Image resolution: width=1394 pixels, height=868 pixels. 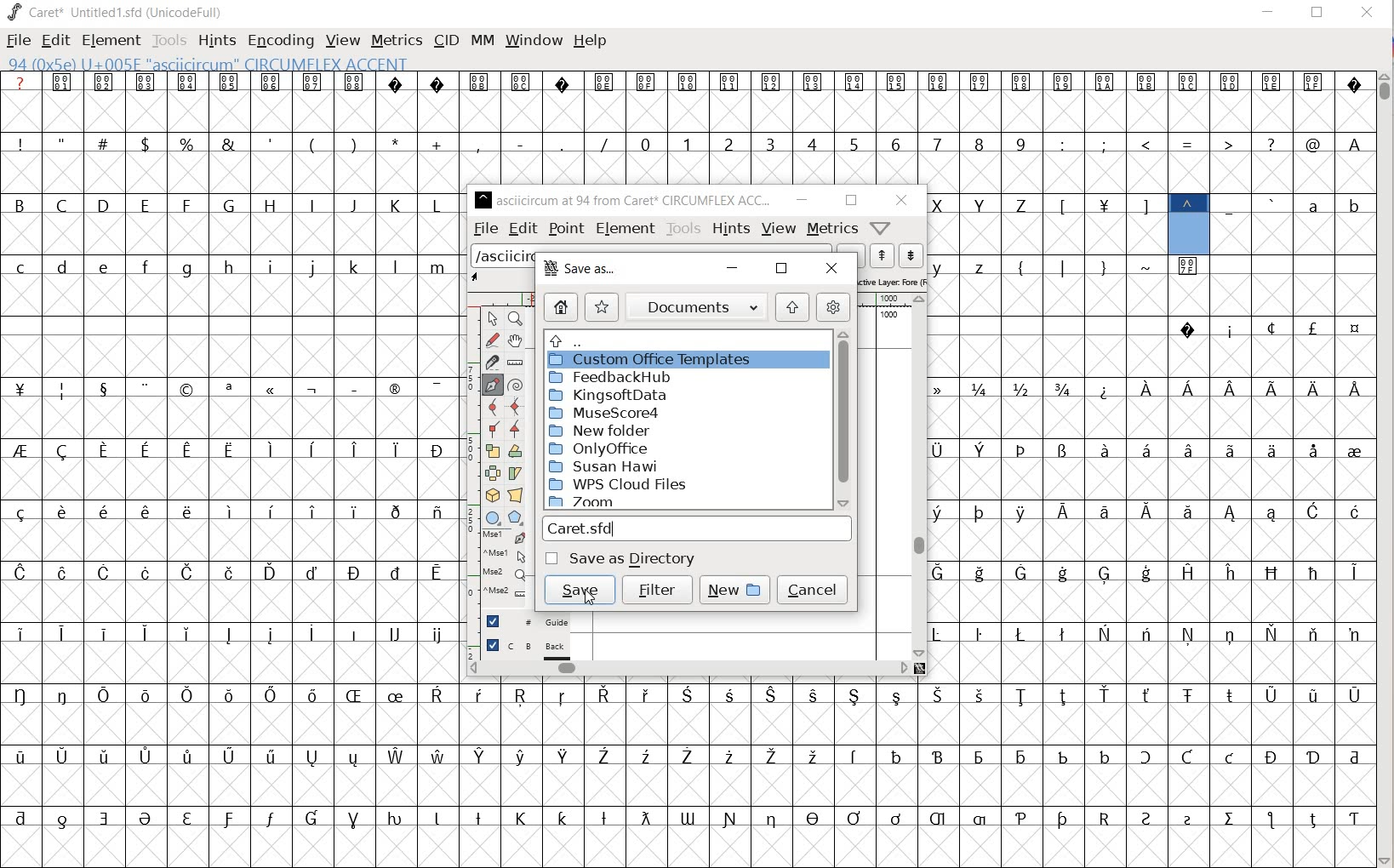 What do you see at coordinates (813, 591) in the screenshot?
I see `cancel` at bounding box center [813, 591].